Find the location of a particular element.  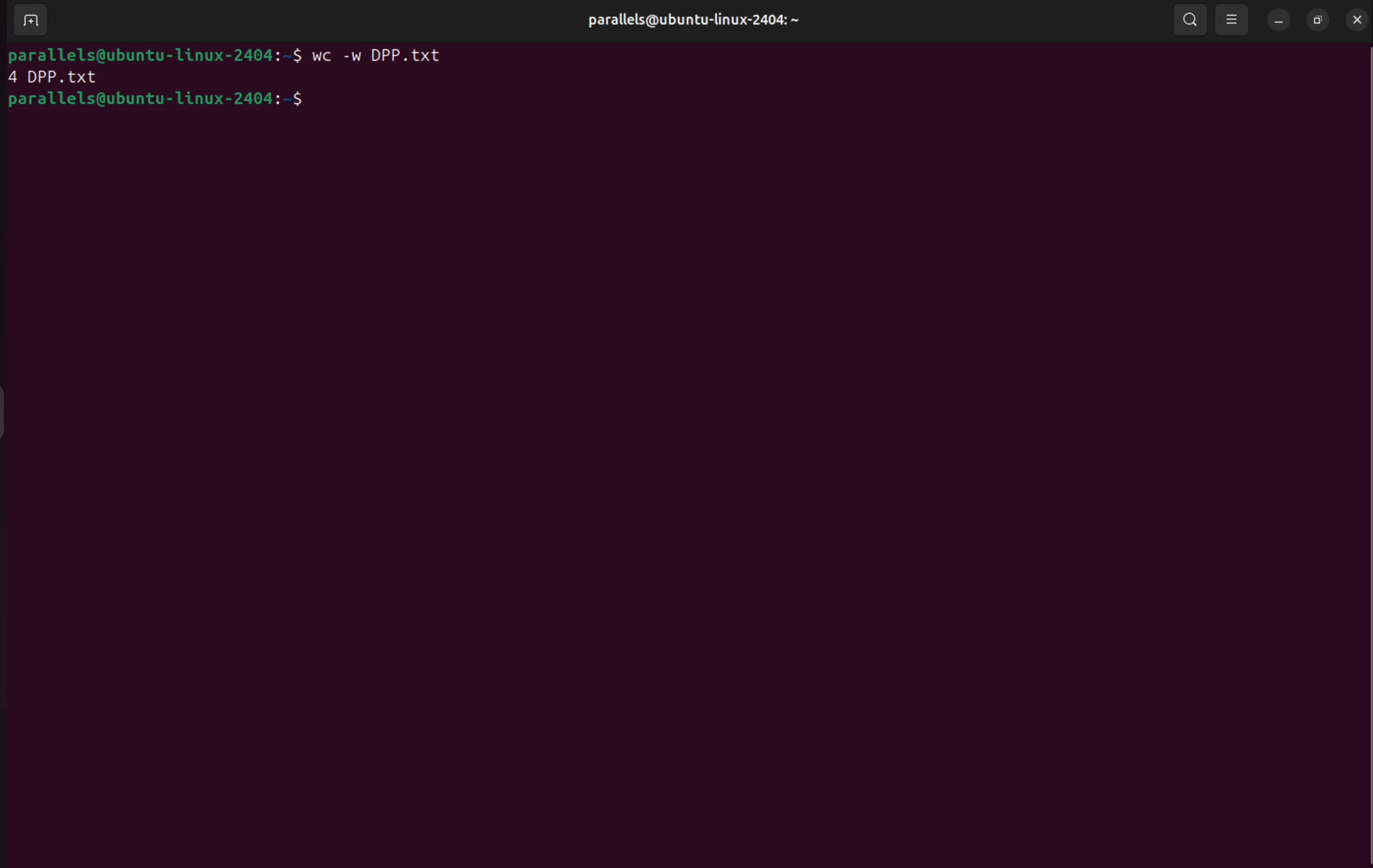

resize is located at coordinates (1319, 19).